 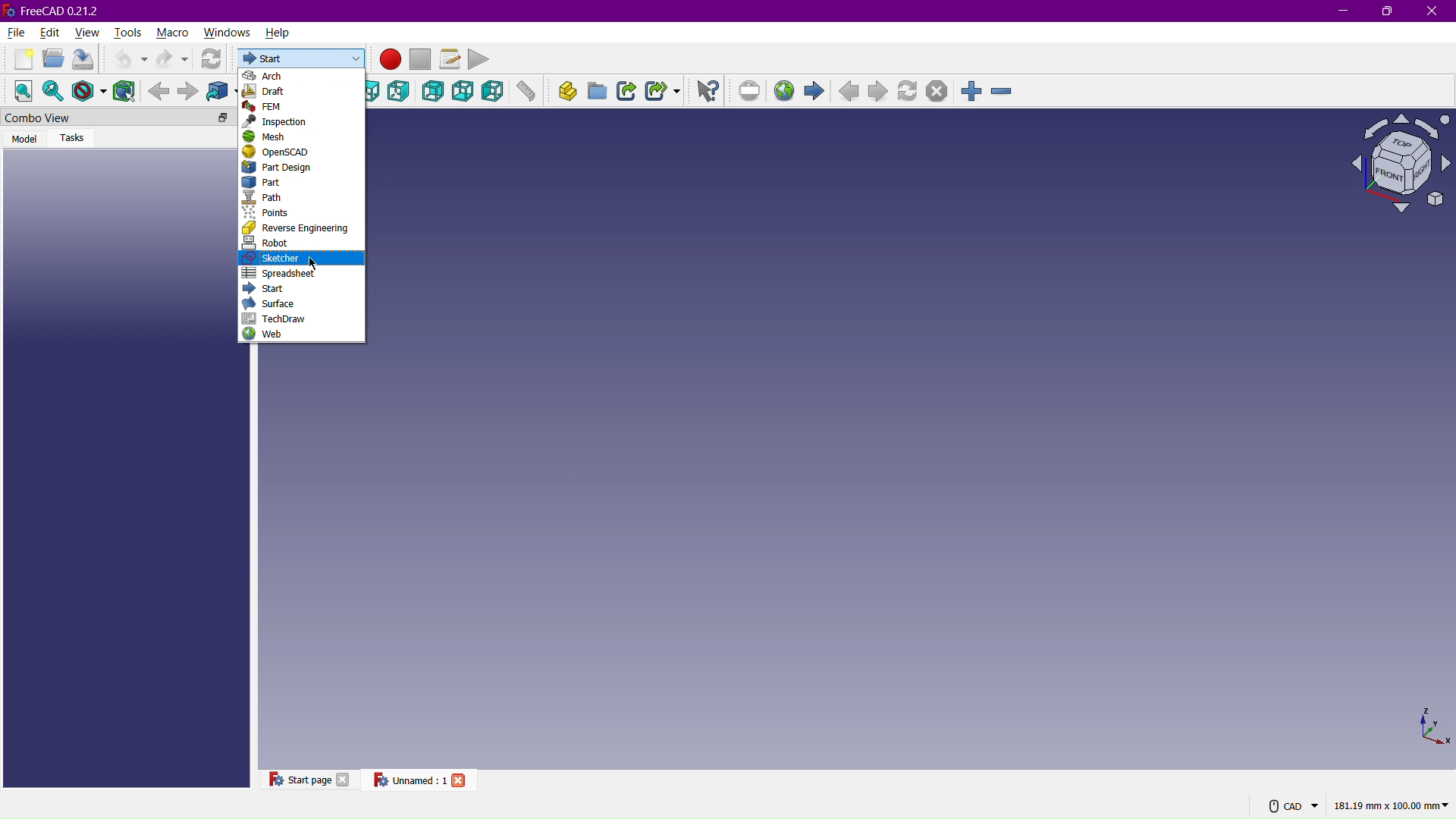 What do you see at coordinates (596, 89) in the screenshot?
I see `Create group` at bounding box center [596, 89].